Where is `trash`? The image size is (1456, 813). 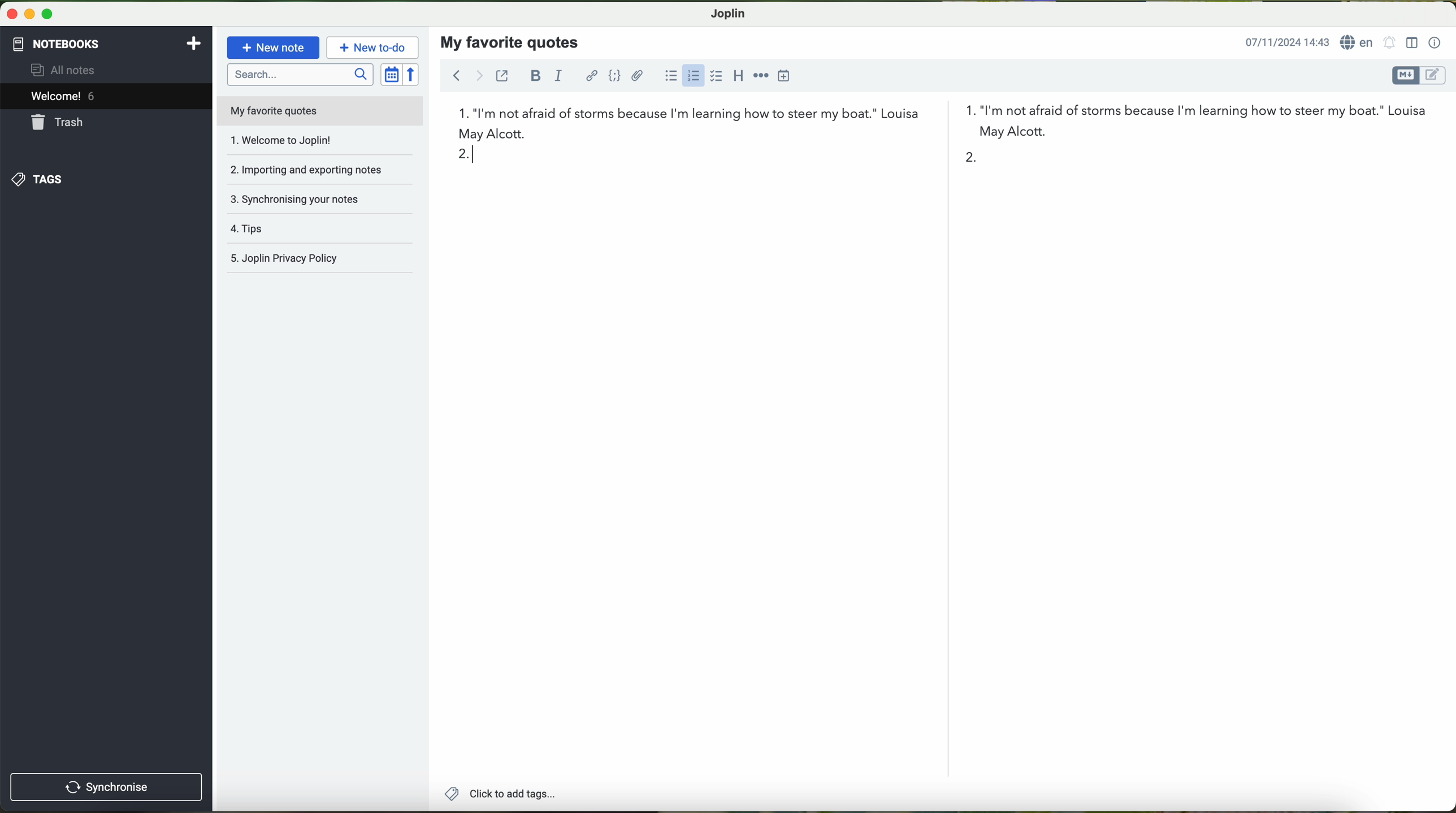
trash is located at coordinates (107, 123).